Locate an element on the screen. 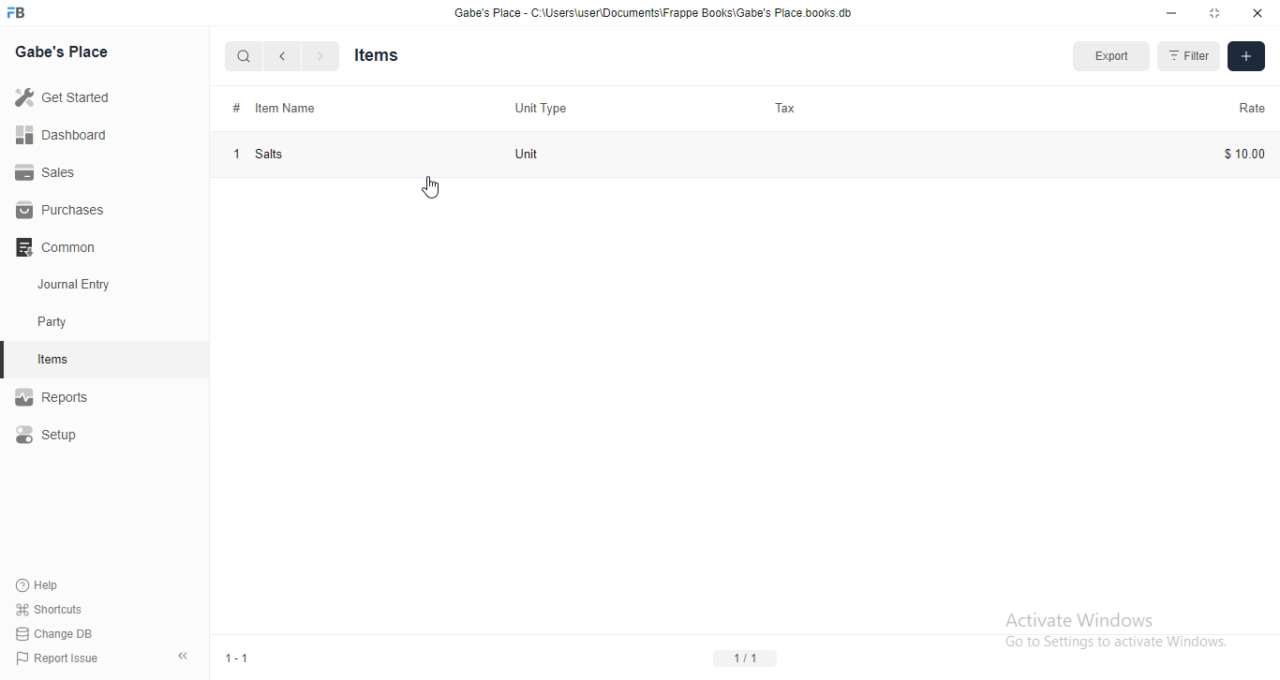 Image resolution: width=1280 pixels, height=680 pixels. Journal Entry is located at coordinates (78, 283).